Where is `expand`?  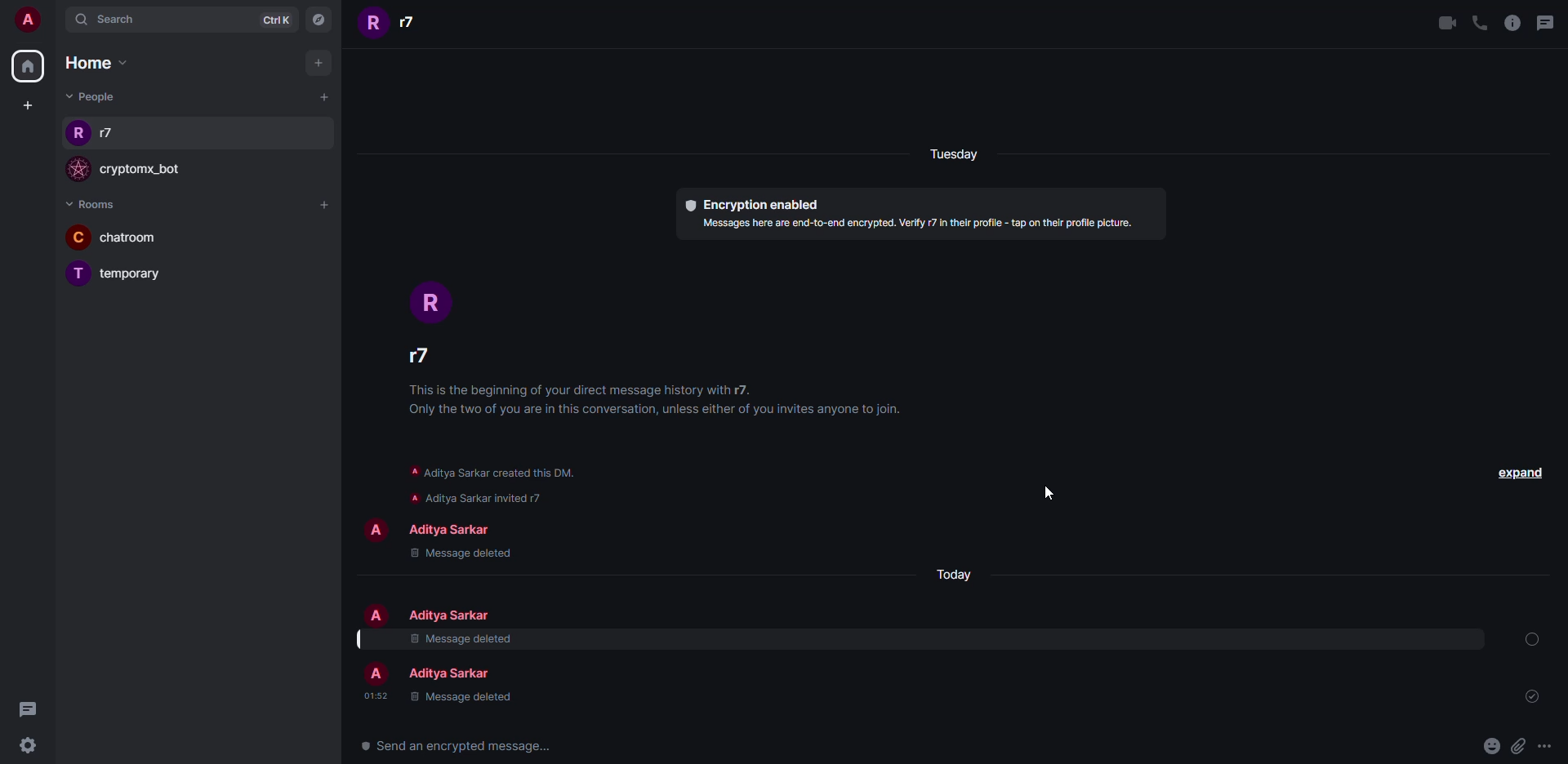 expand is located at coordinates (1518, 472).